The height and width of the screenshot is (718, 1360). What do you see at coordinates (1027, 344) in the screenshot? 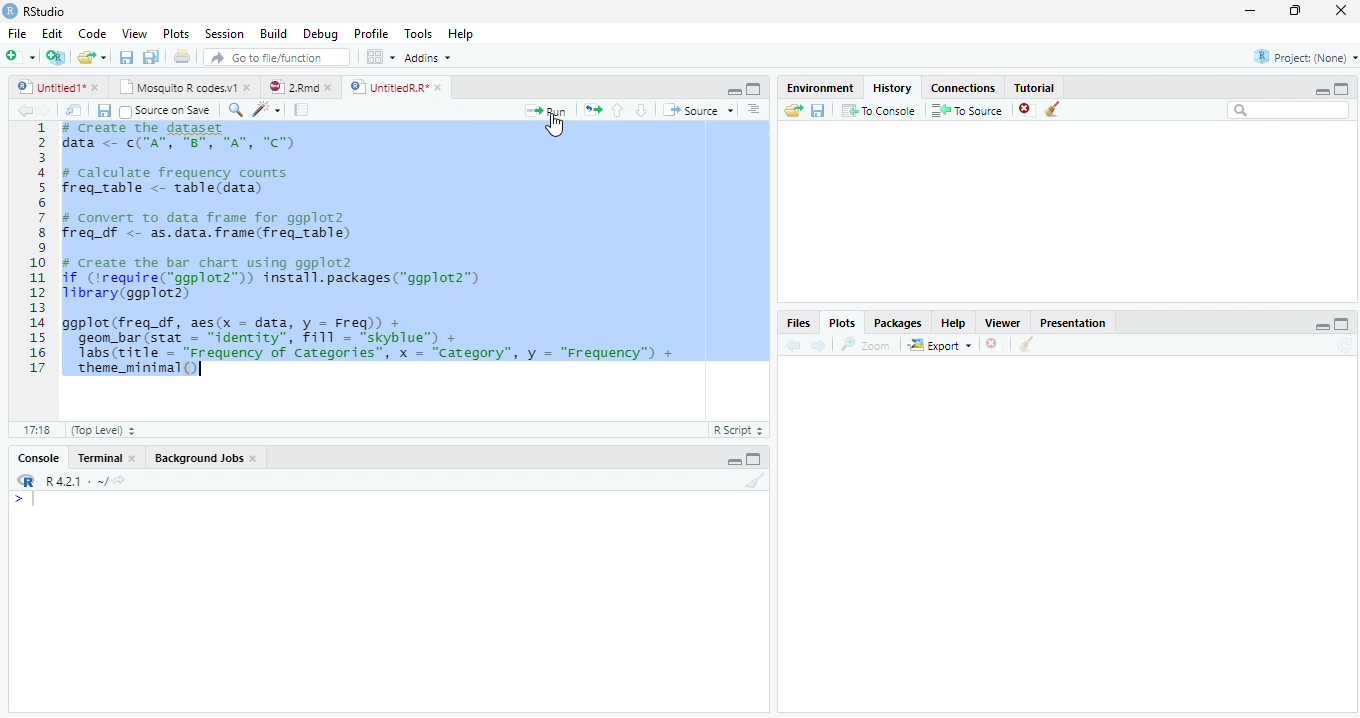
I see `Clear Console` at bounding box center [1027, 344].